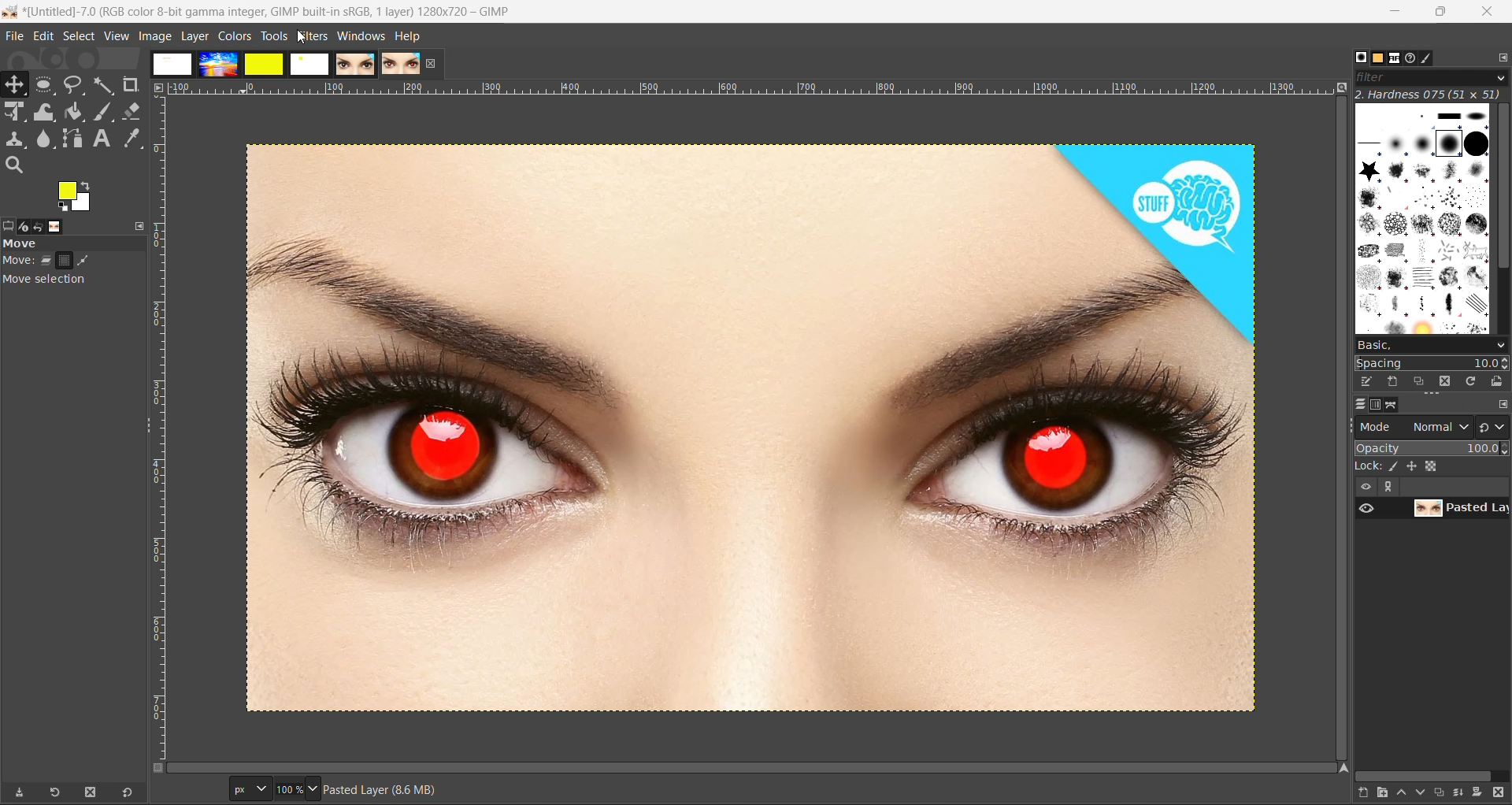 The image size is (1512, 805). Describe the element at coordinates (78, 35) in the screenshot. I see `select` at that location.